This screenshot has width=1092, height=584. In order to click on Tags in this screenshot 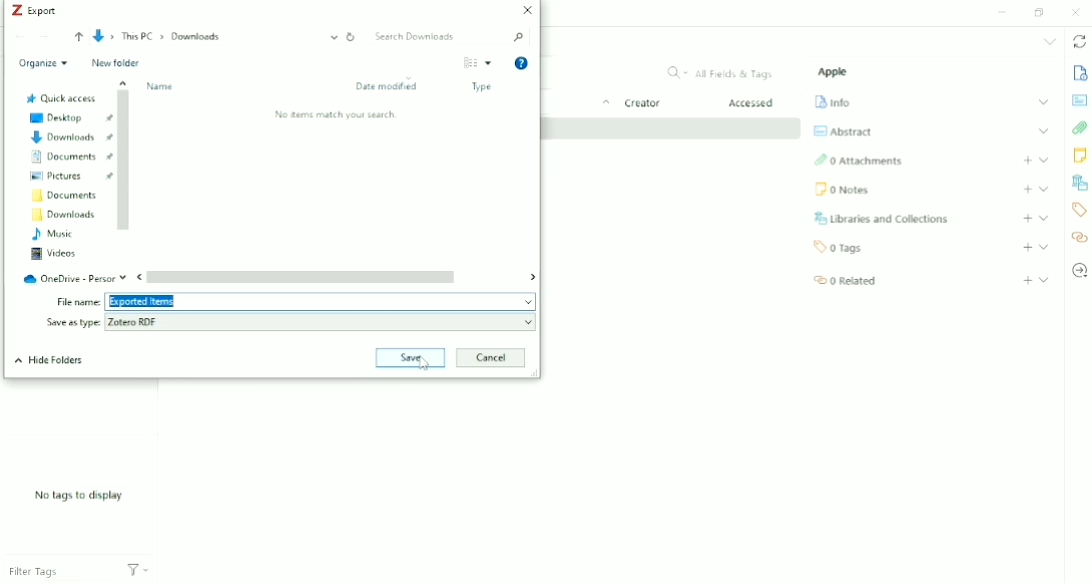, I will do `click(1080, 210)`.